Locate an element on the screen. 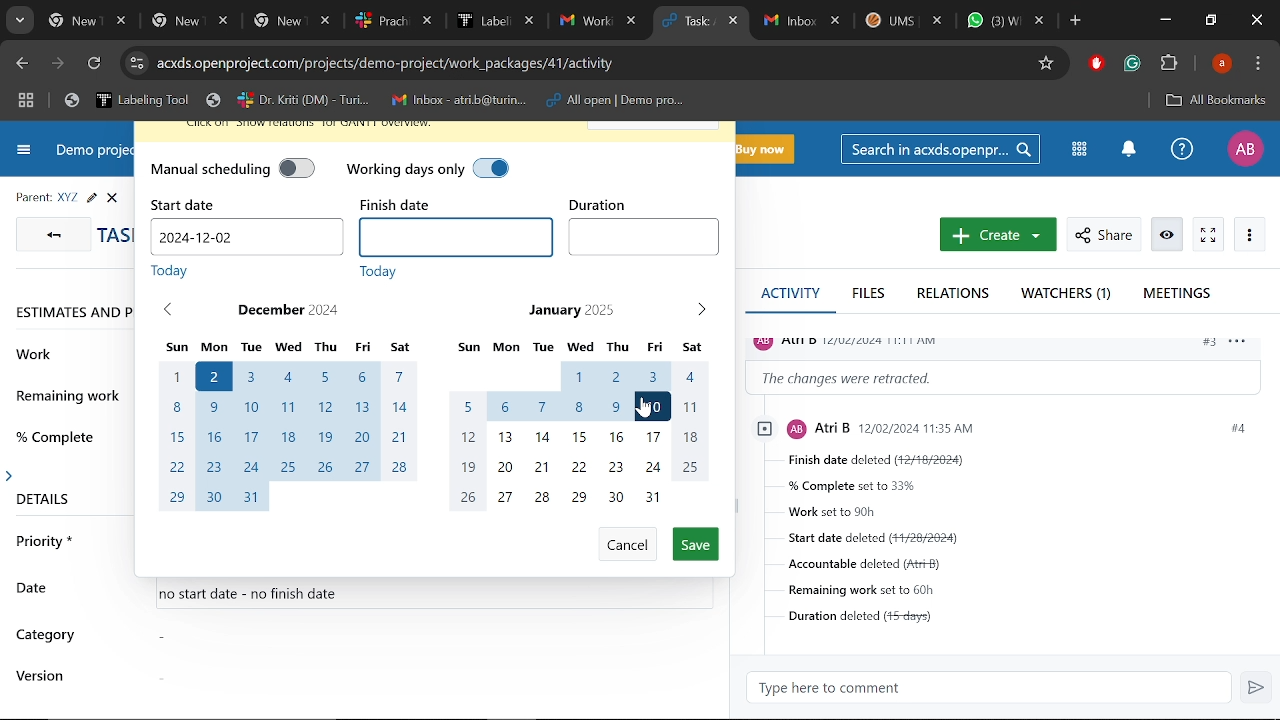 The height and width of the screenshot is (720, 1280). December 2024 is located at coordinates (291, 308).